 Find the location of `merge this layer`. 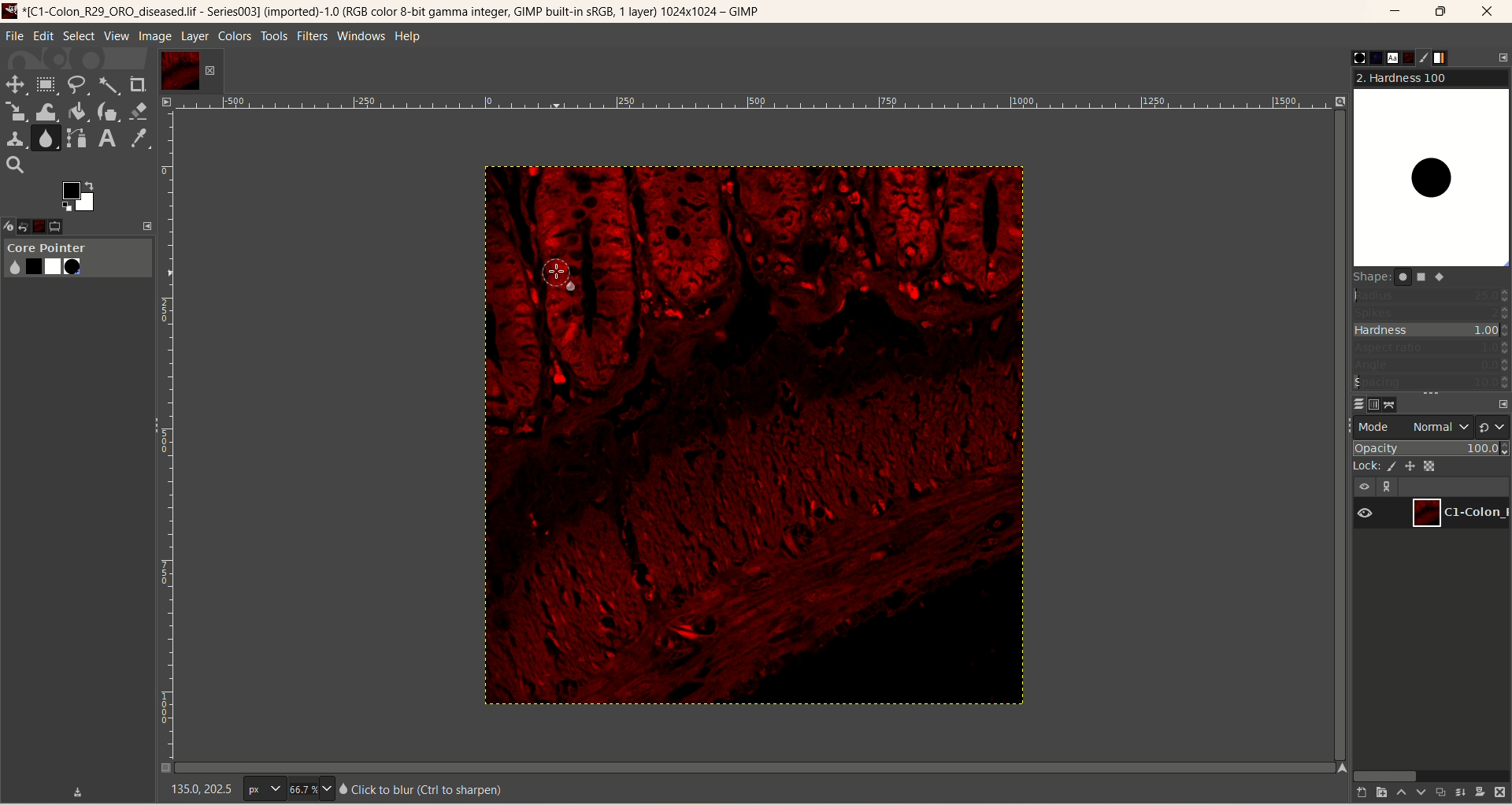

merge this layer is located at coordinates (1459, 792).